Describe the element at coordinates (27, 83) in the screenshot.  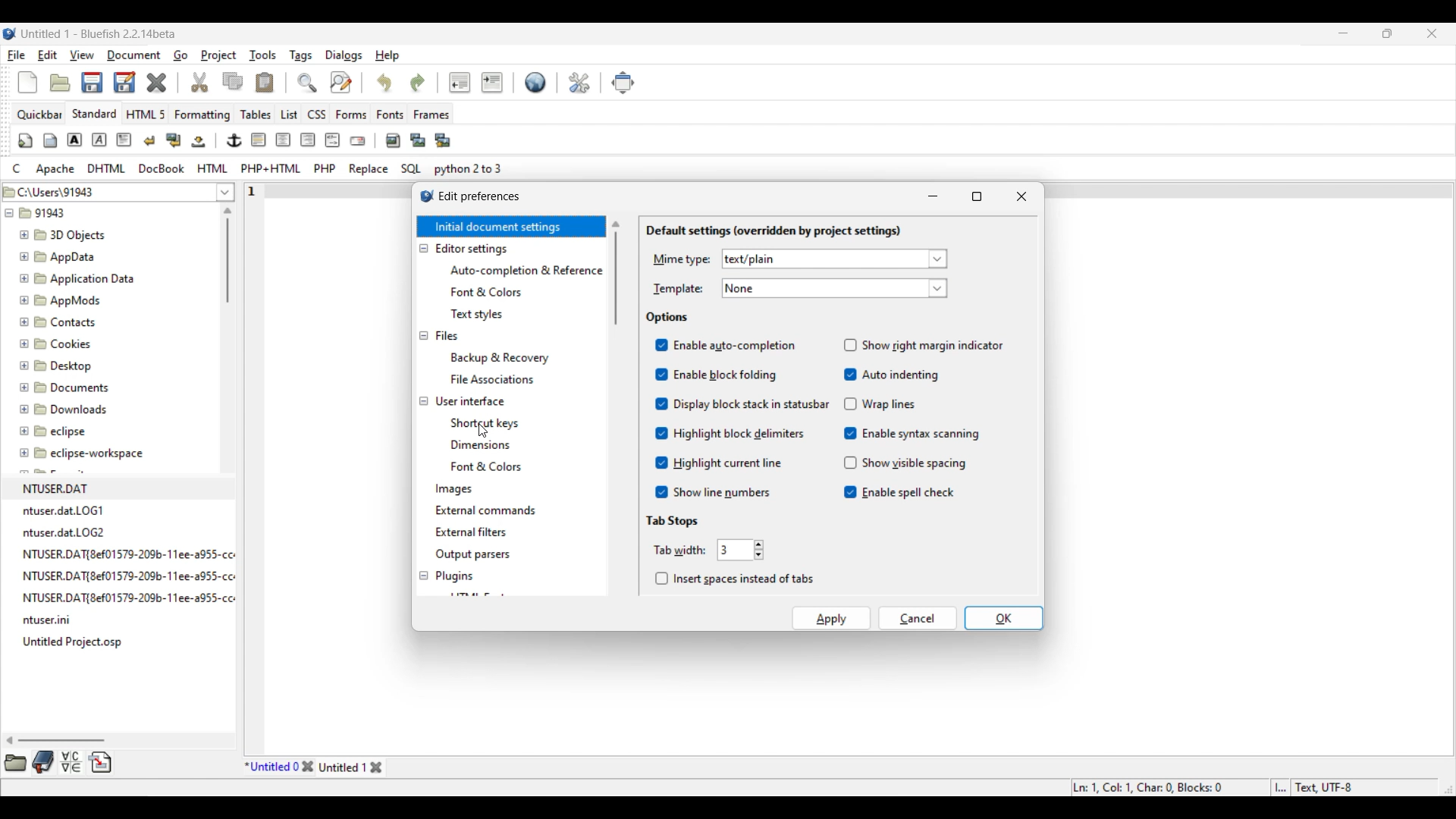
I see `New` at that location.